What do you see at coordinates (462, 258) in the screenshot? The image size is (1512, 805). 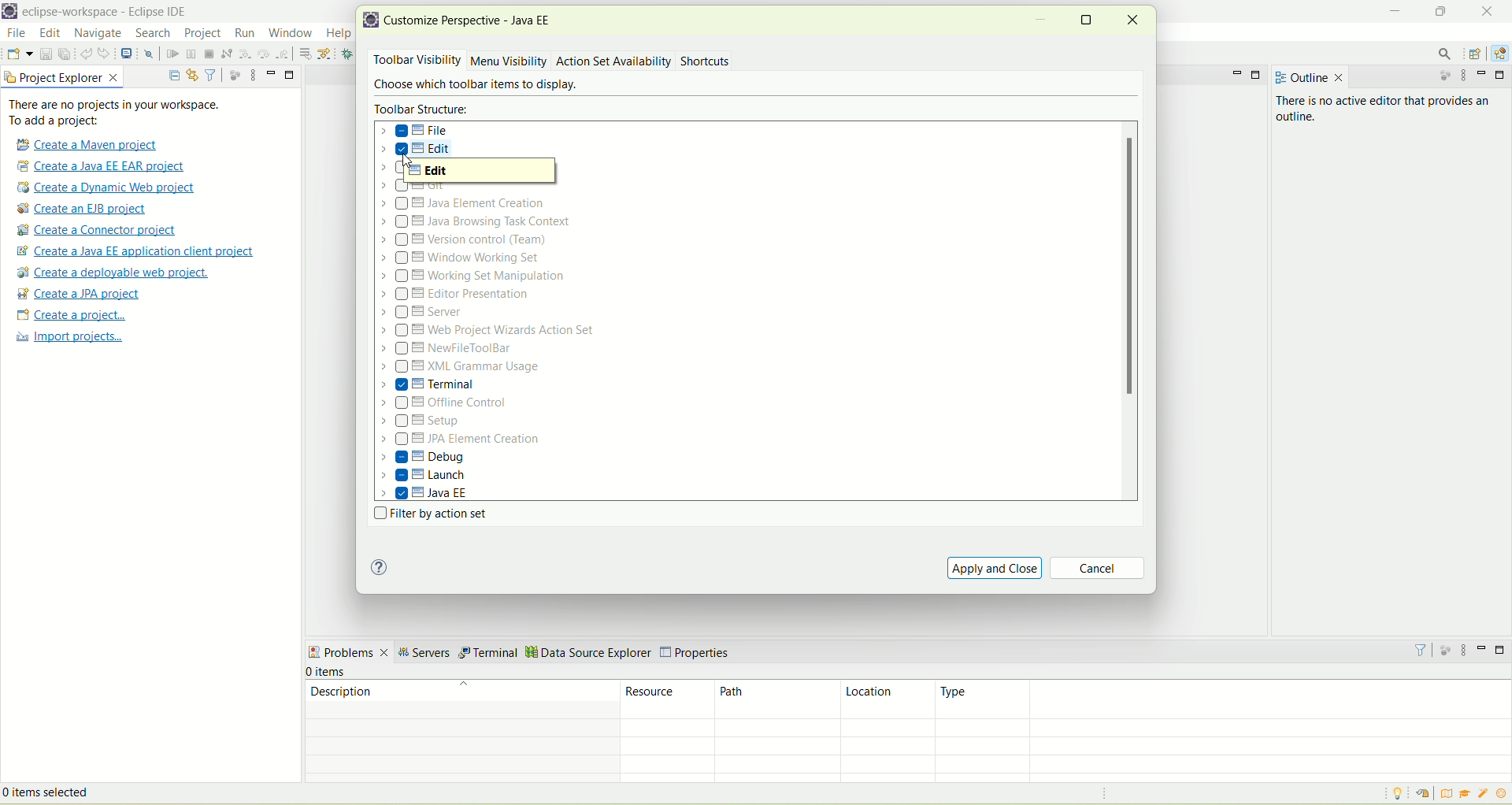 I see `window working set` at bounding box center [462, 258].